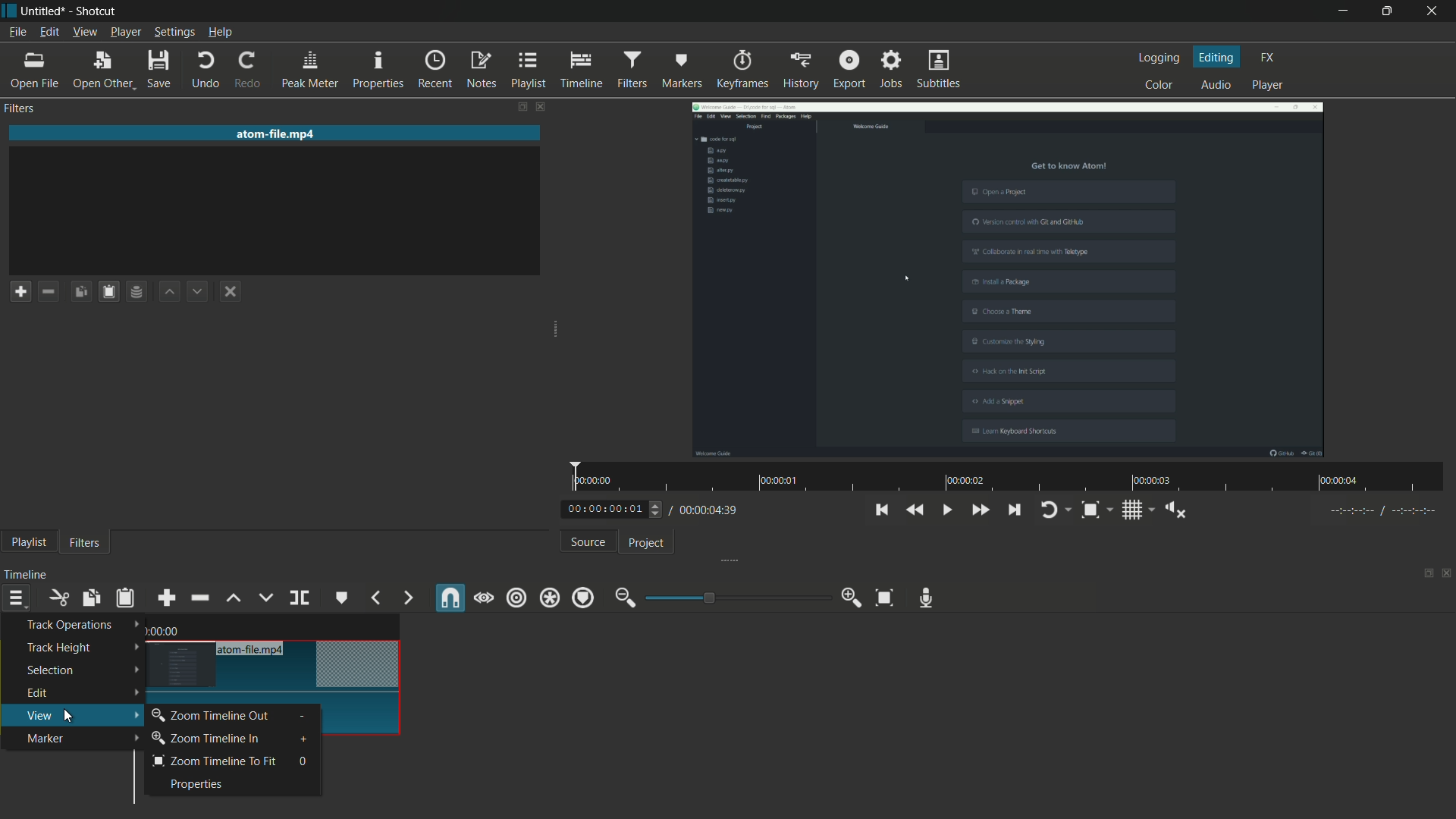  I want to click on open file, so click(31, 71).